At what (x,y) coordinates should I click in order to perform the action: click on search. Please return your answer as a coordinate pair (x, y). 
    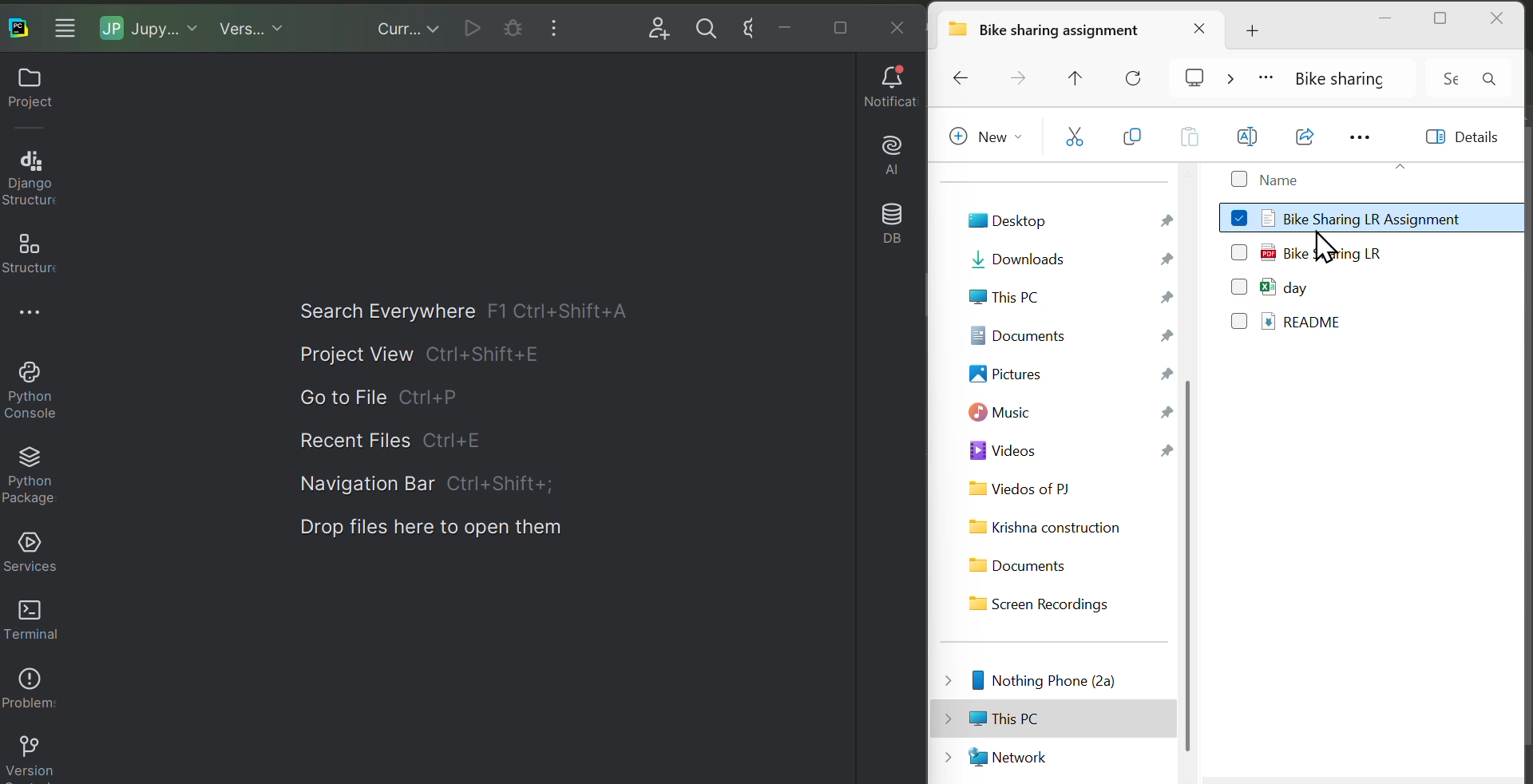
    Looking at the image, I should click on (701, 24).